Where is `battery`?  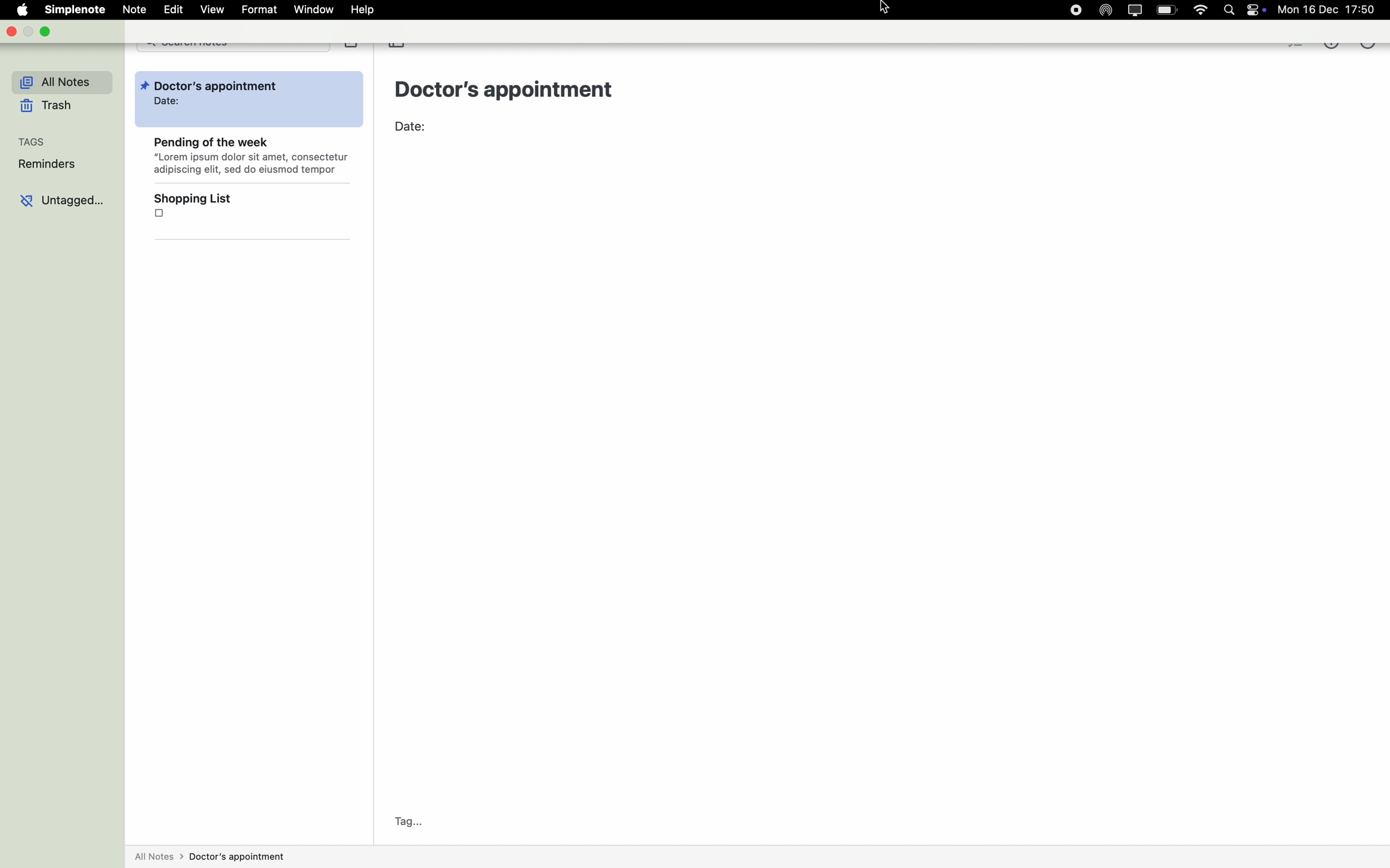
battery is located at coordinates (1168, 9).